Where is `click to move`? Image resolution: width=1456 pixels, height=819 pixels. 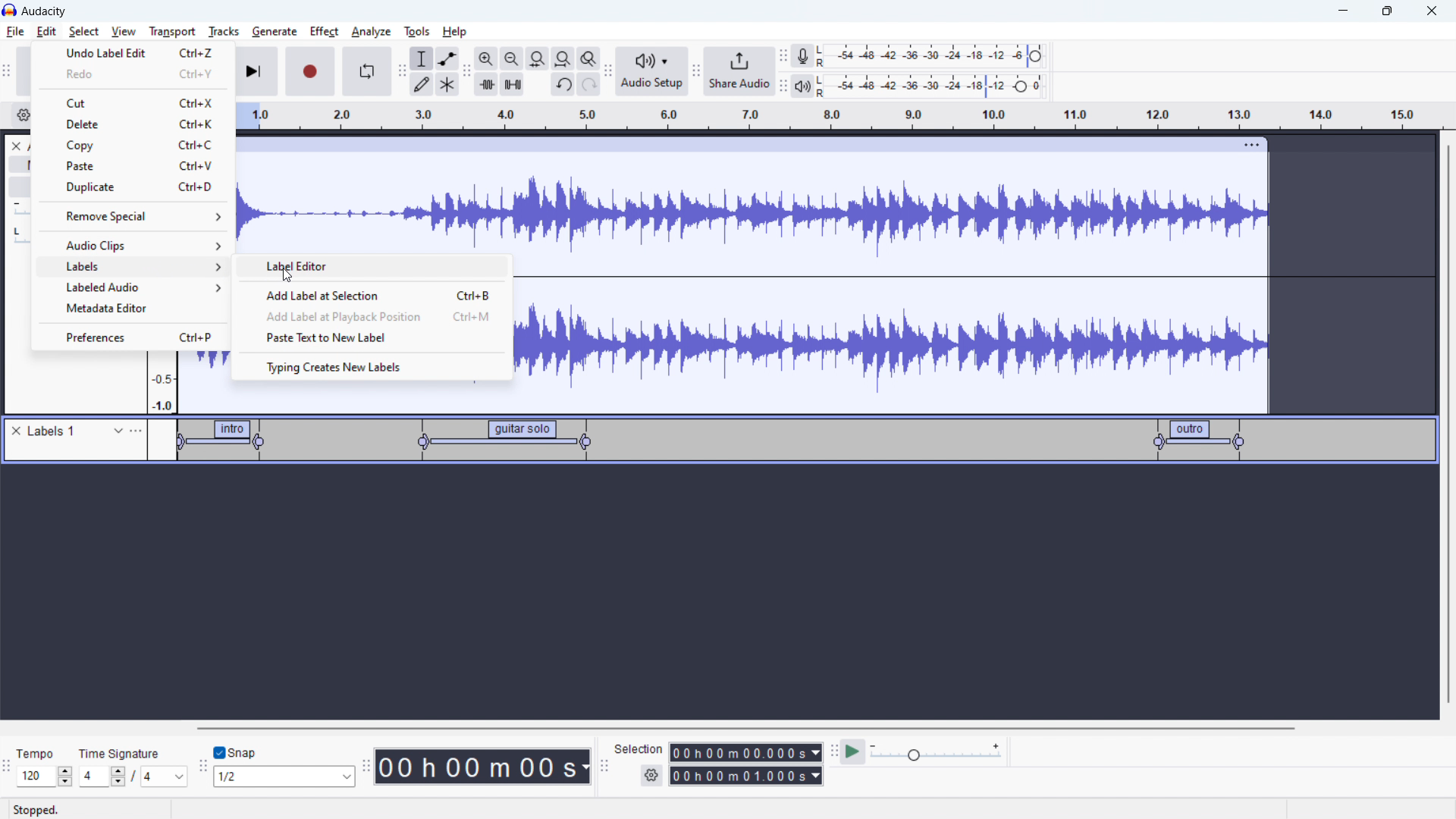 click to move is located at coordinates (735, 145).